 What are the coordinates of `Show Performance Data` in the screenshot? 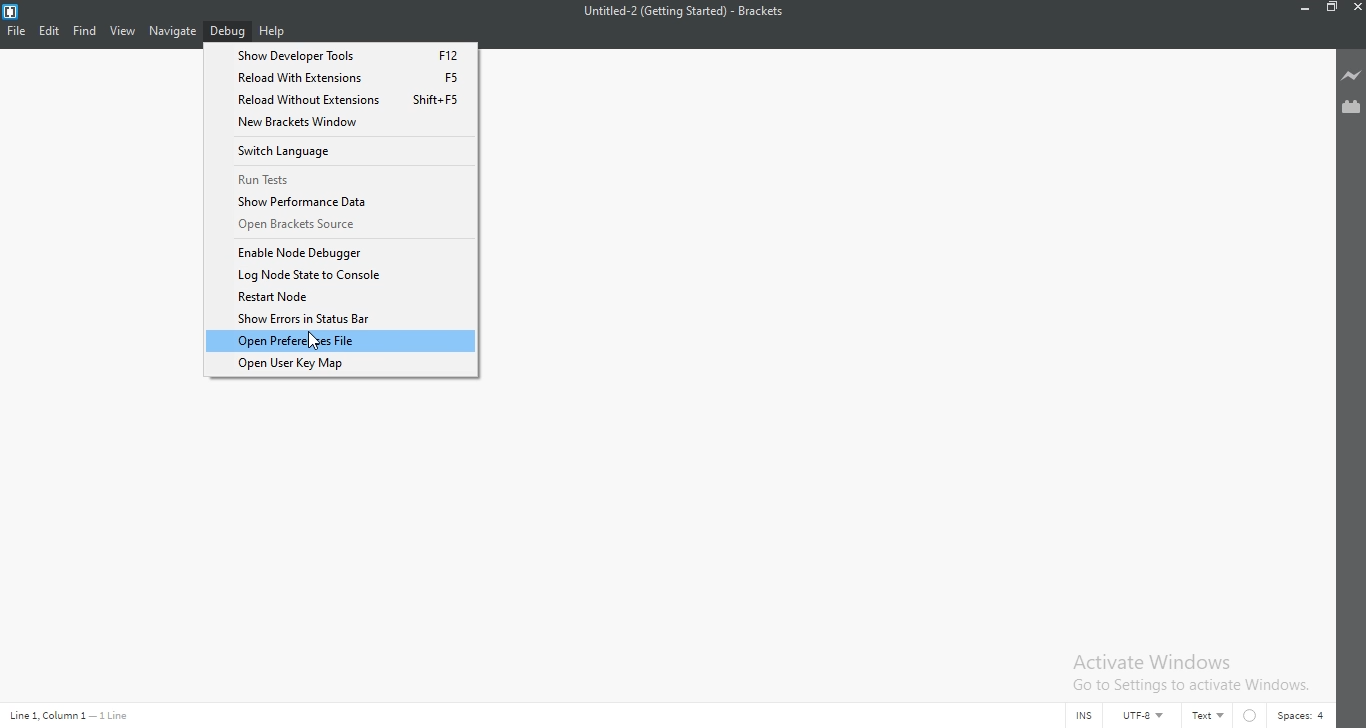 It's located at (342, 202).